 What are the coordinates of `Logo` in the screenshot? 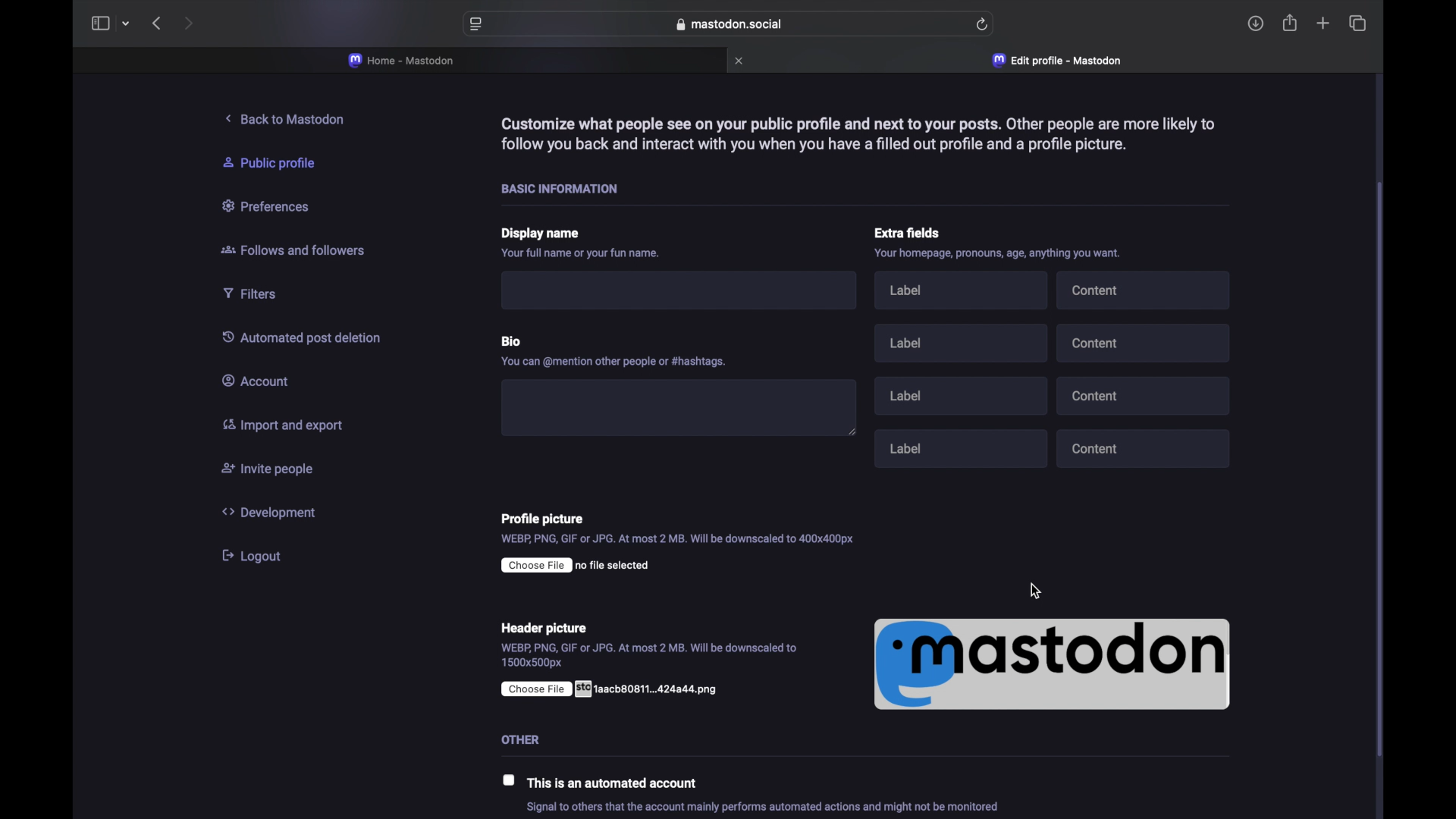 It's located at (1053, 665).